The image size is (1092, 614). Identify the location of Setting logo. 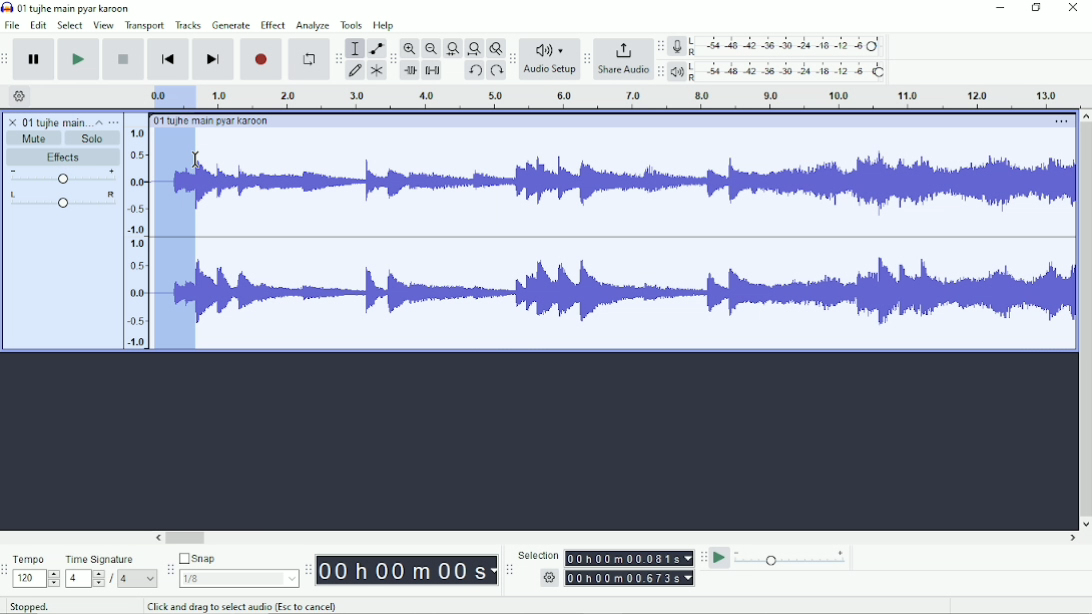
(20, 95).